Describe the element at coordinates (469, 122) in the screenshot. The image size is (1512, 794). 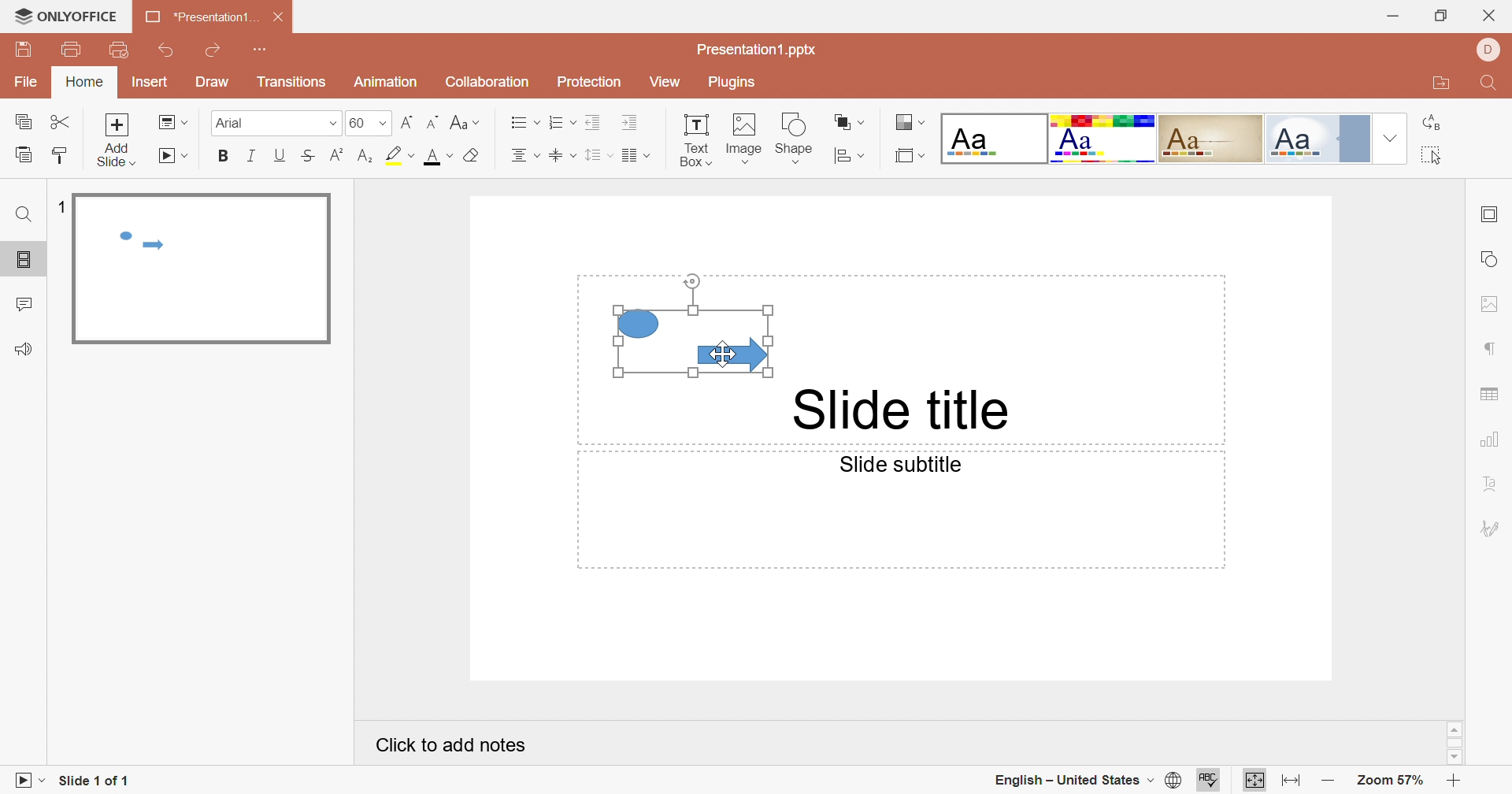
I see `Change case` at that location.